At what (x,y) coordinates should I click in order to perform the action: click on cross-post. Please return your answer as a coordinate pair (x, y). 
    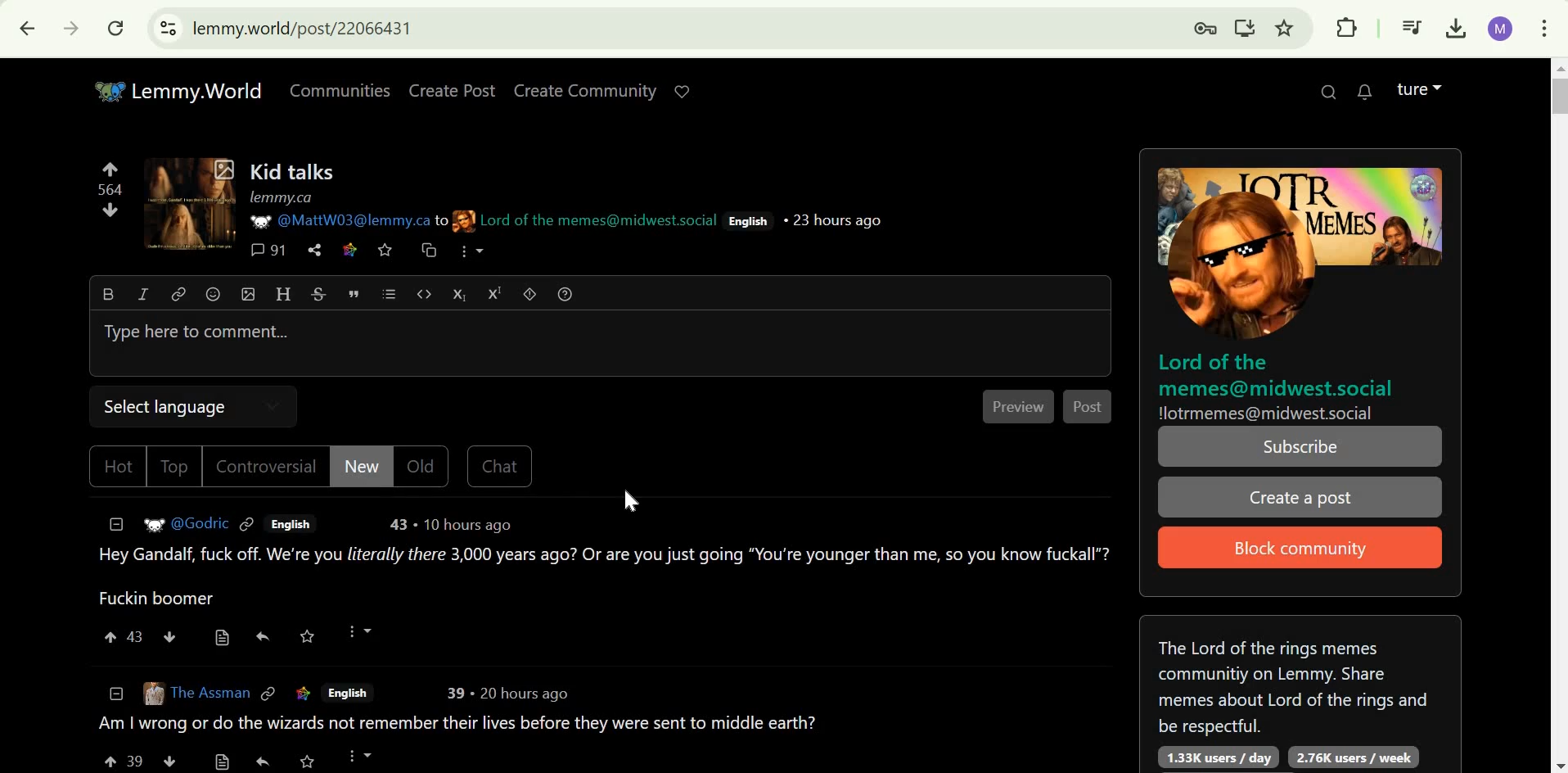
    Looking at the image, I should click on (428, 250).